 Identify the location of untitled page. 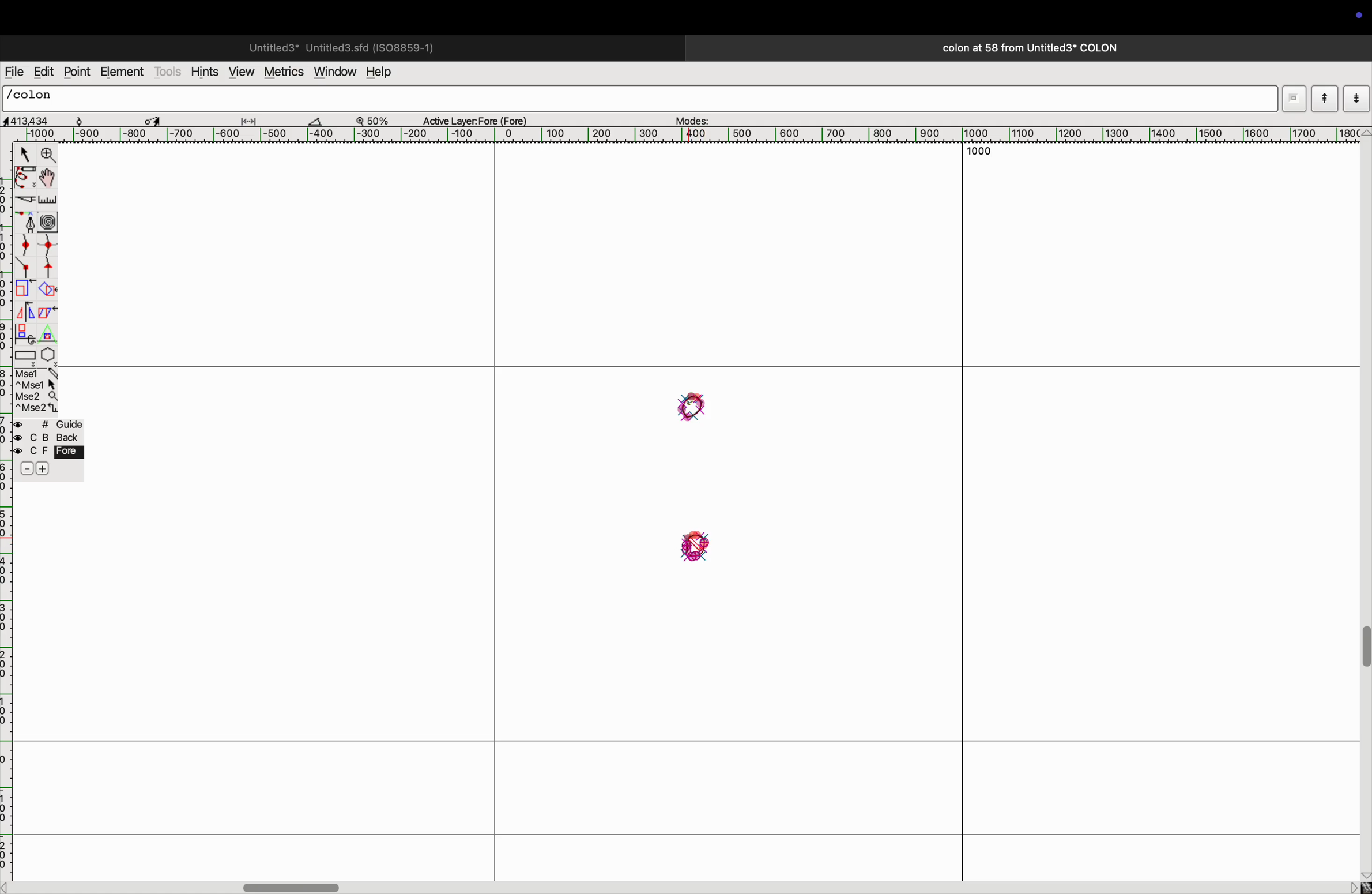
(340, 46).